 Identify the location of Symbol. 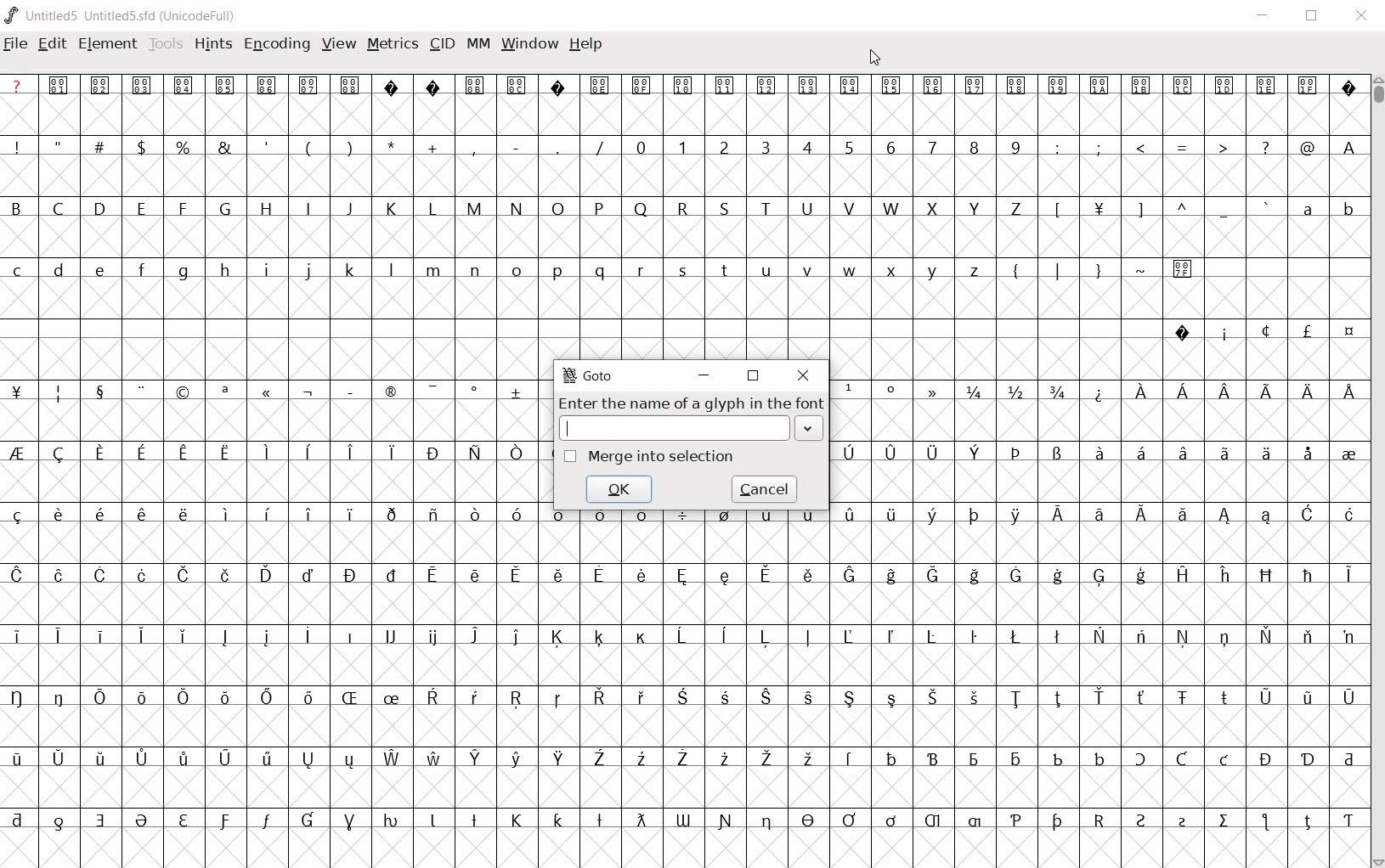
(599, 520).